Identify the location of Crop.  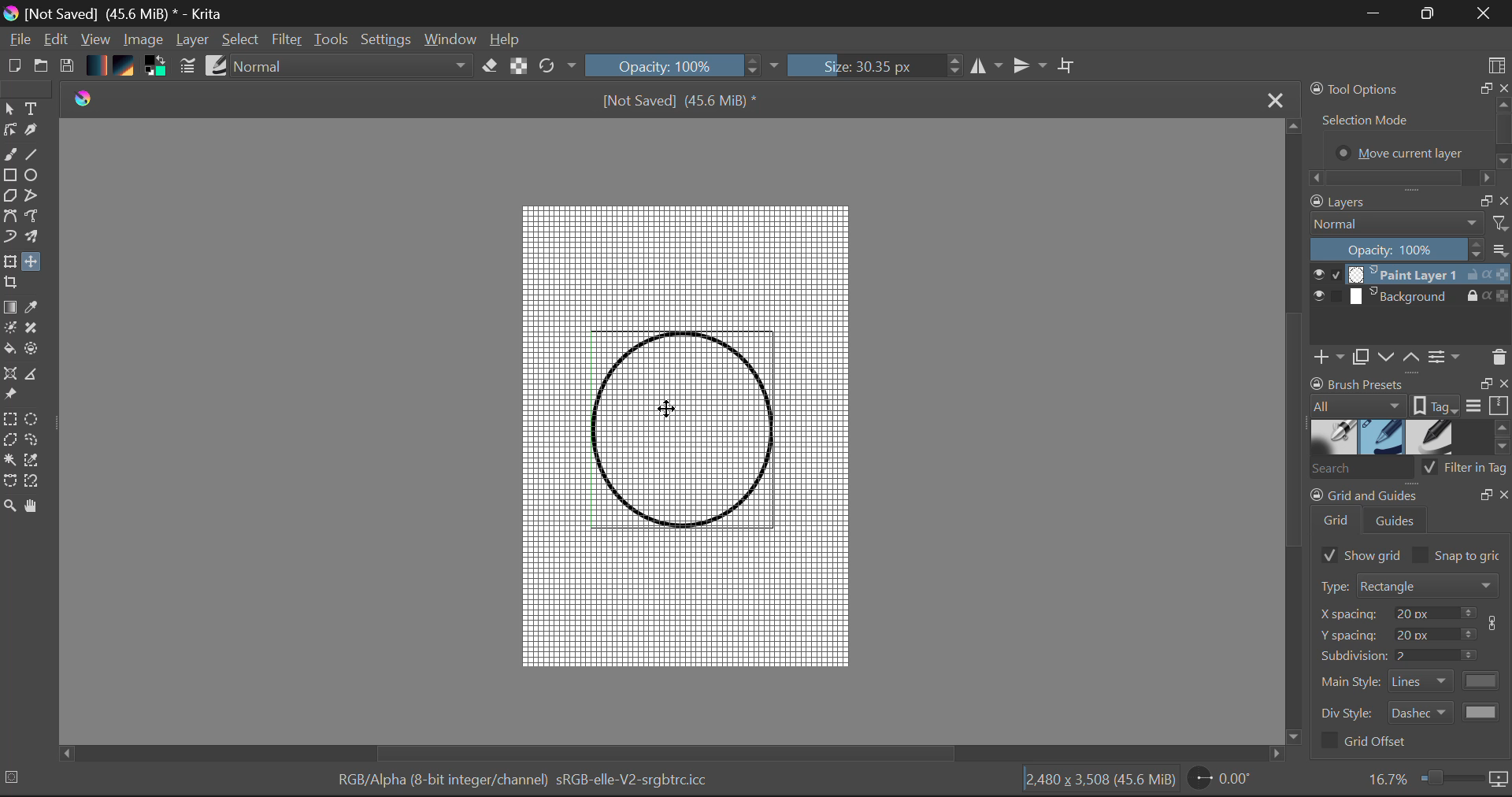
(13, 284).